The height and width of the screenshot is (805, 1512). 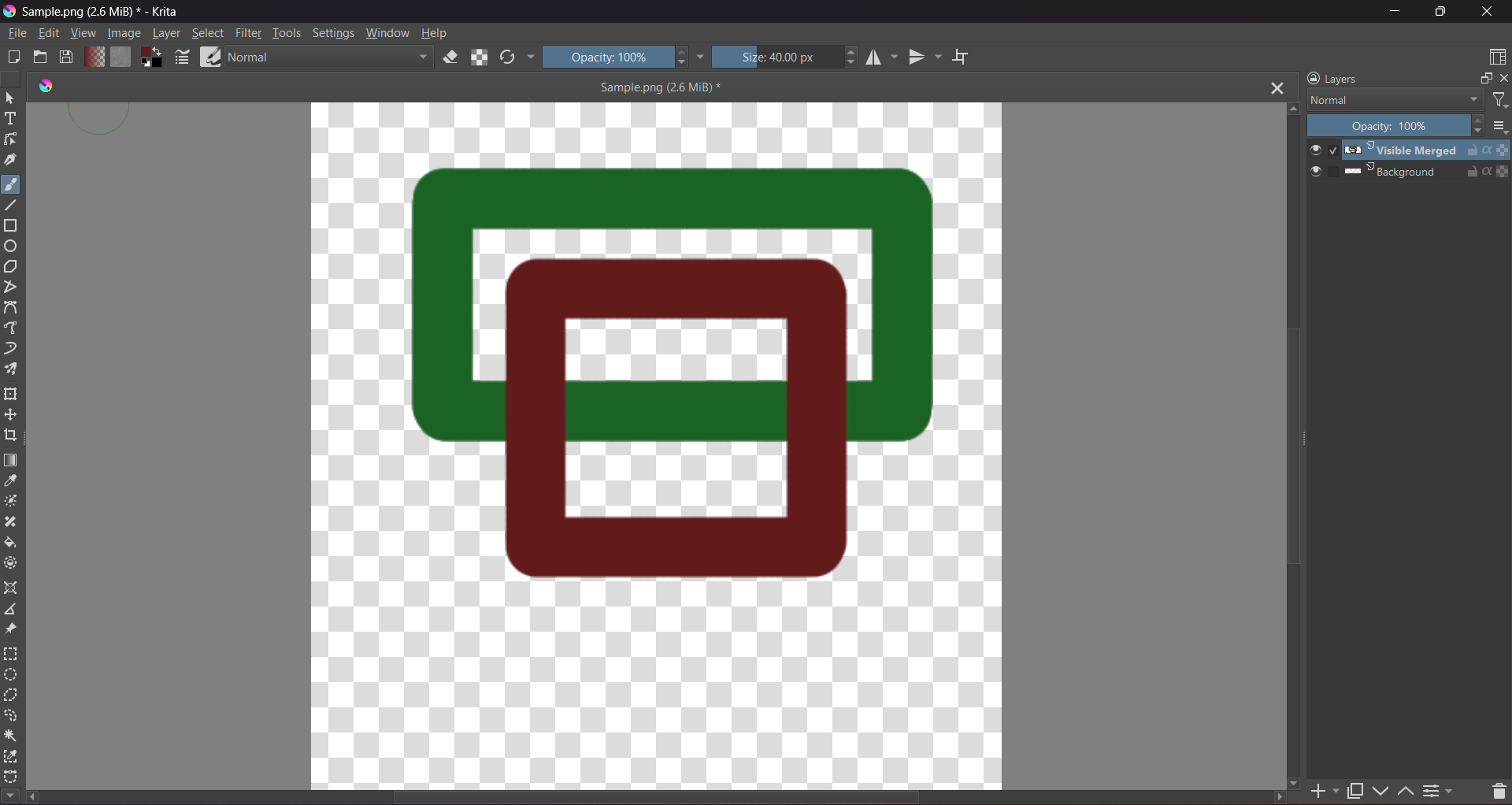 What do you see at coordinates (12, 395) in the screenshot?
I see `Transform a layer` at bounding box center [12, 395].